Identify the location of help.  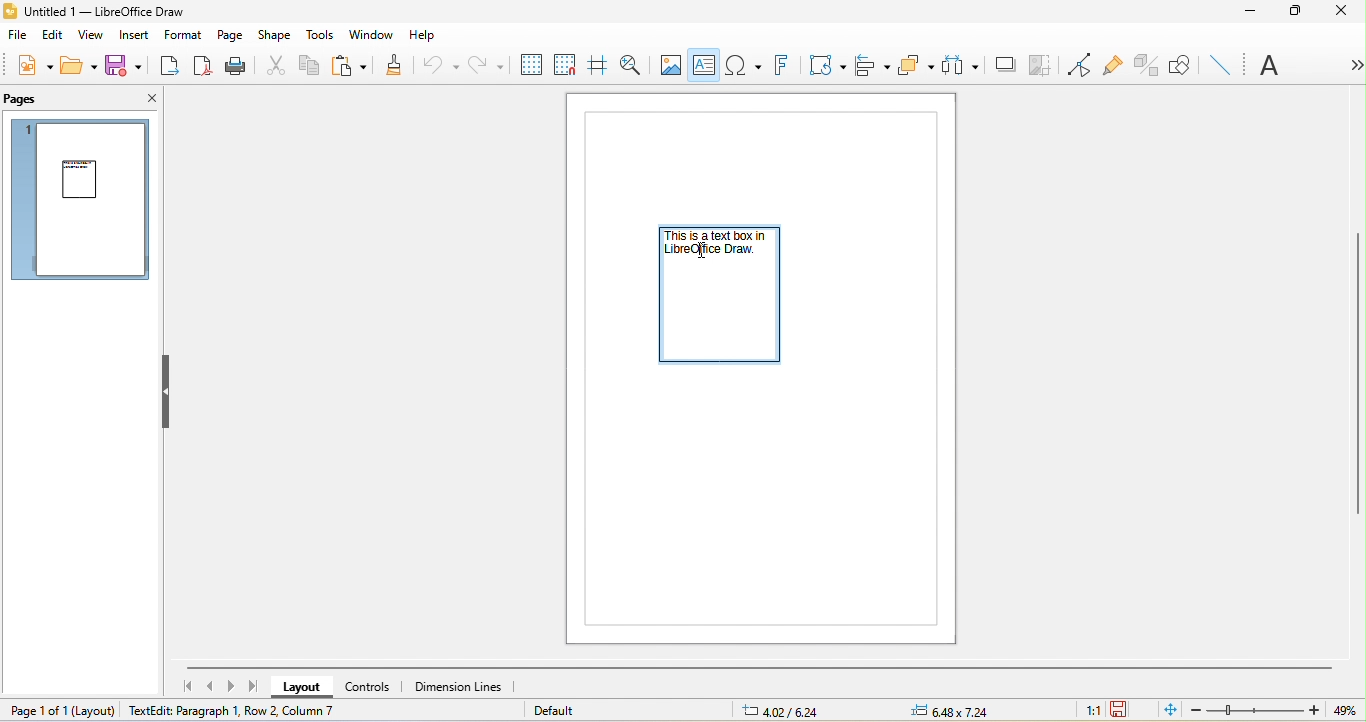
(424, 37).